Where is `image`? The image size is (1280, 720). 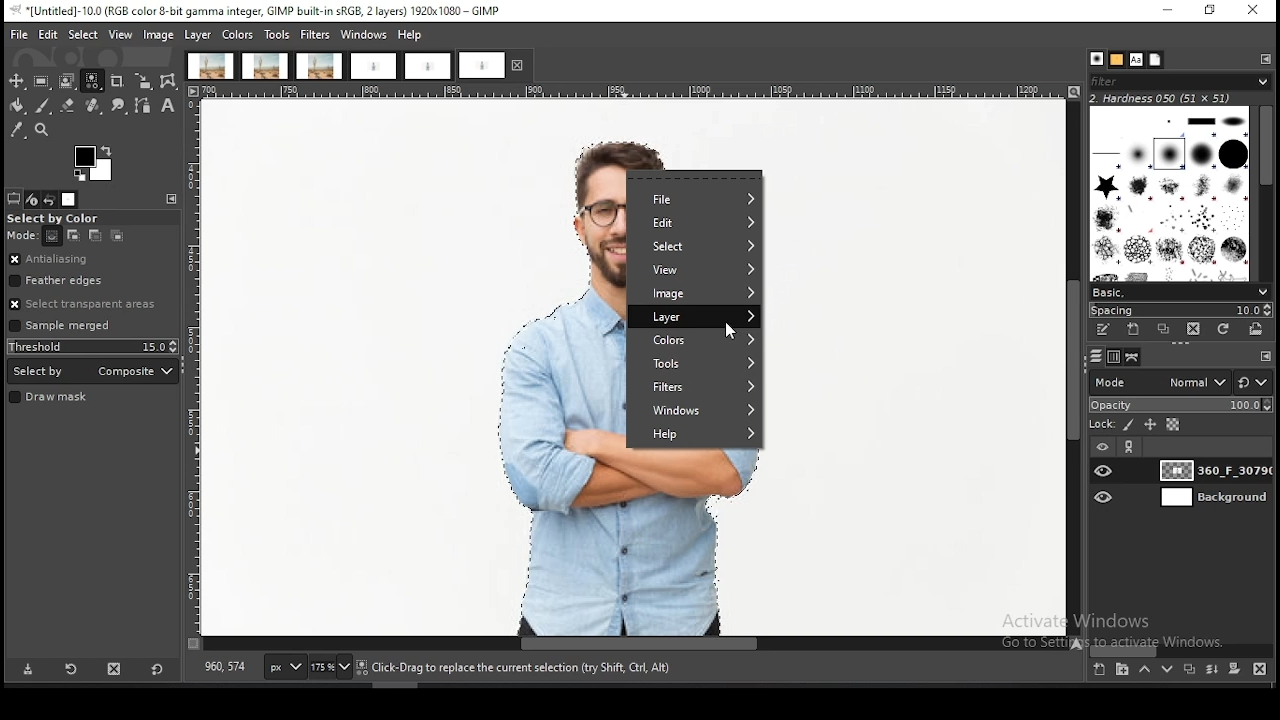
image is located at coordinates (158, 36).